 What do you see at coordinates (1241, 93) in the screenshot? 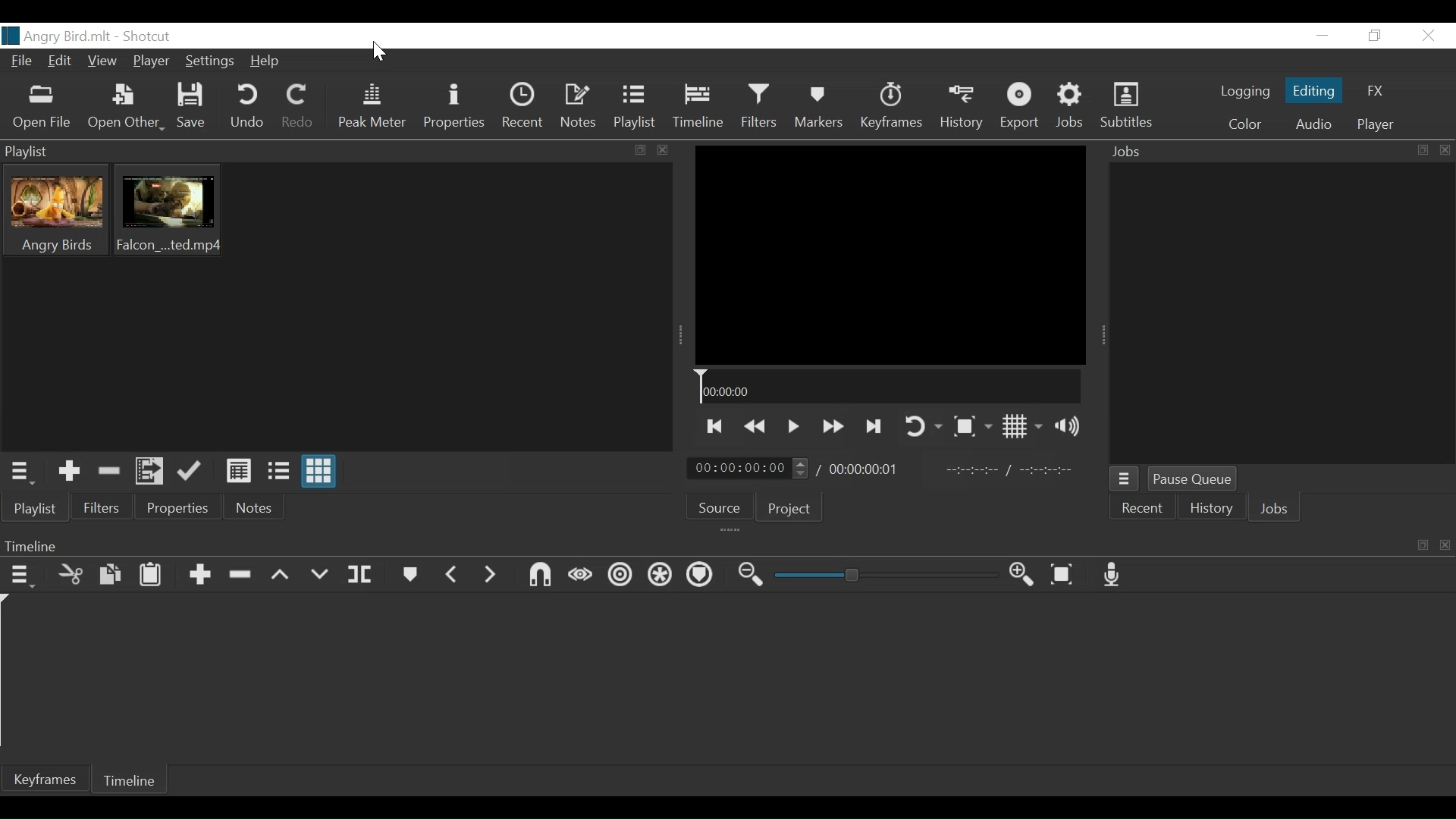
I see `logging` at bounding box center [1241, 93].